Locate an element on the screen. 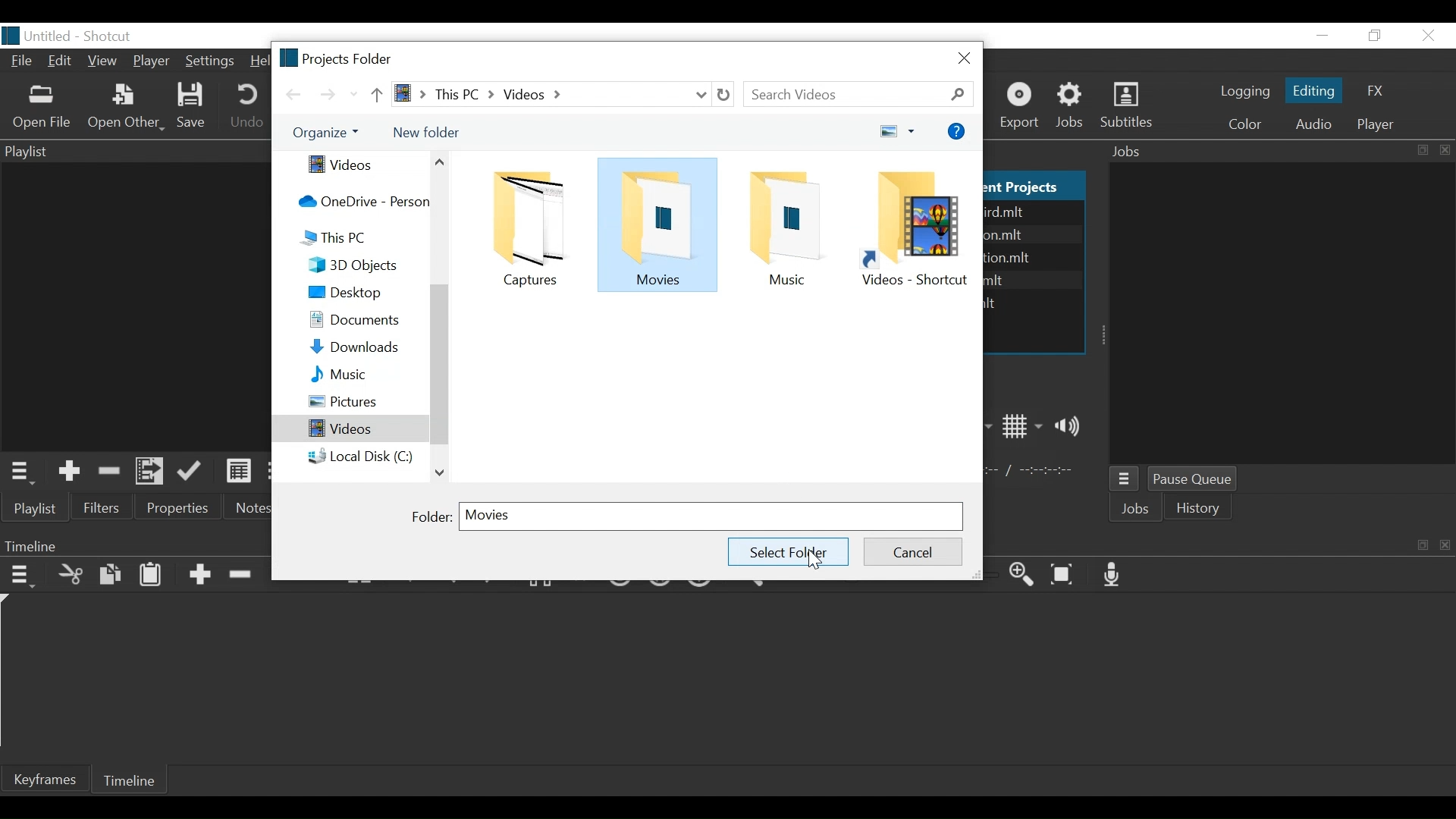 Image resolution: width=1456 pixels, height=819 pixels. Ripple delete is located at coordinates (243, 575).